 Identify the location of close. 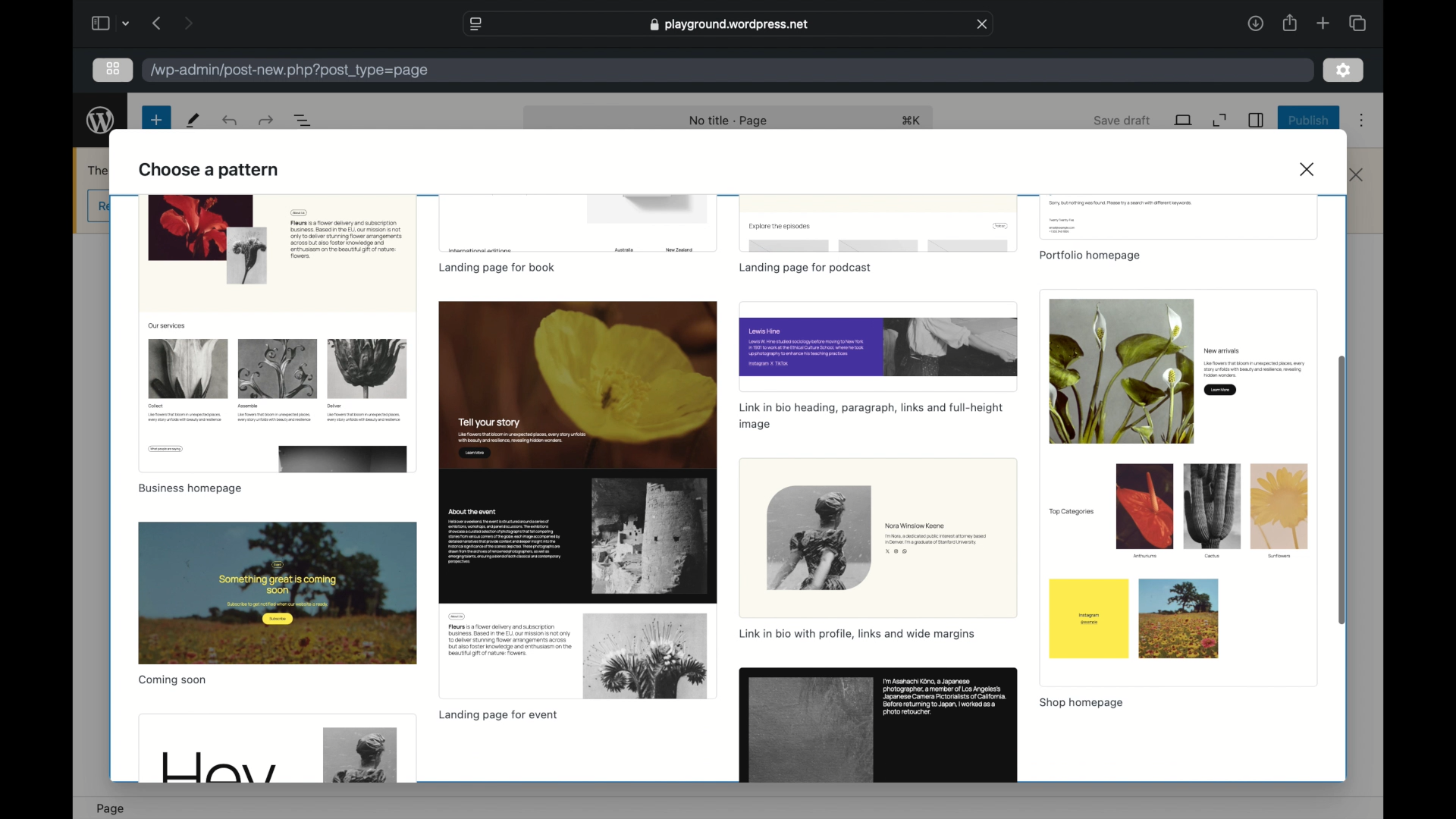
(1310, 168).